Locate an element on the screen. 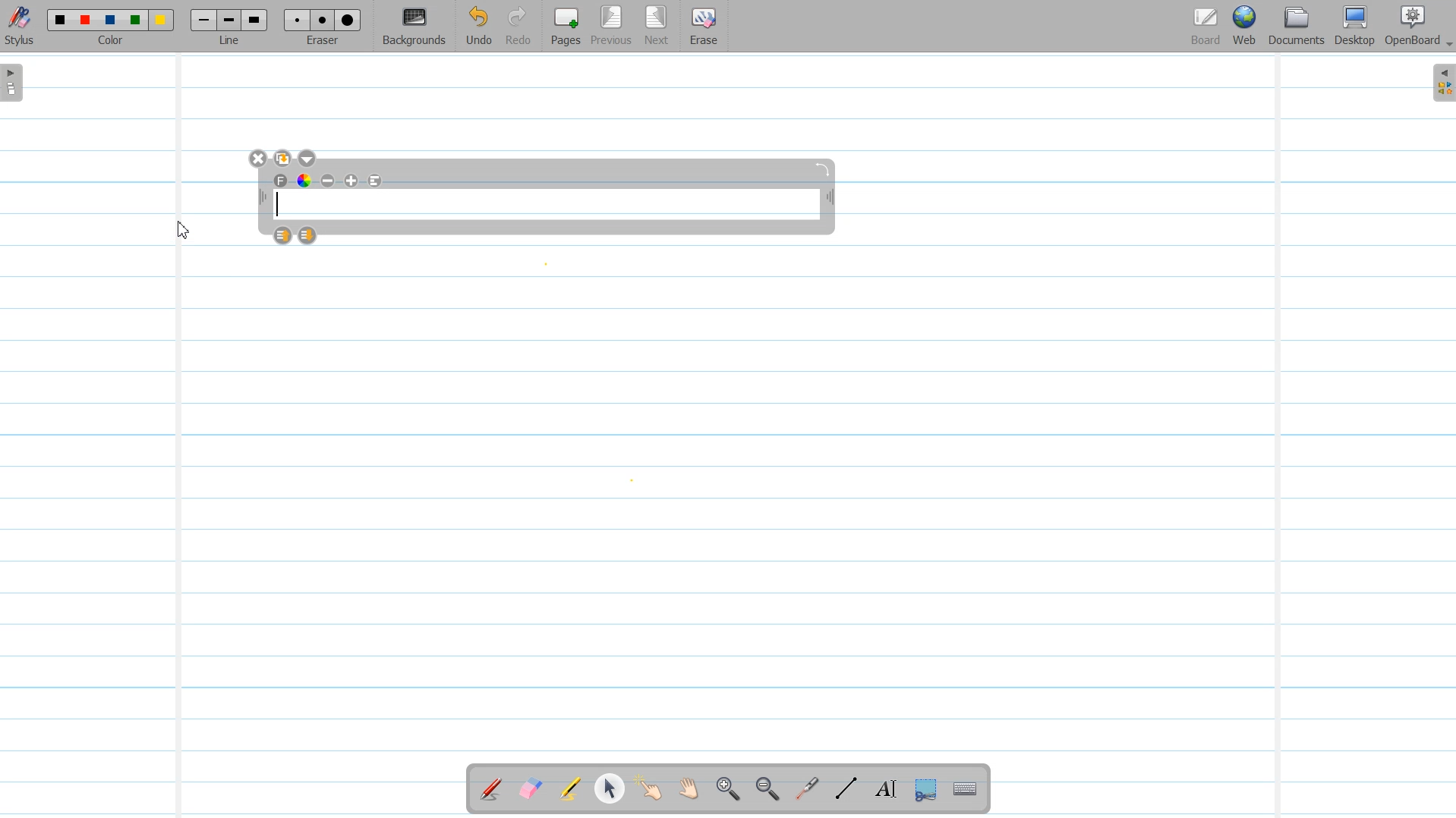 This screenshot has height=818, width=1456. Undo is located at coordinates (478, 27).